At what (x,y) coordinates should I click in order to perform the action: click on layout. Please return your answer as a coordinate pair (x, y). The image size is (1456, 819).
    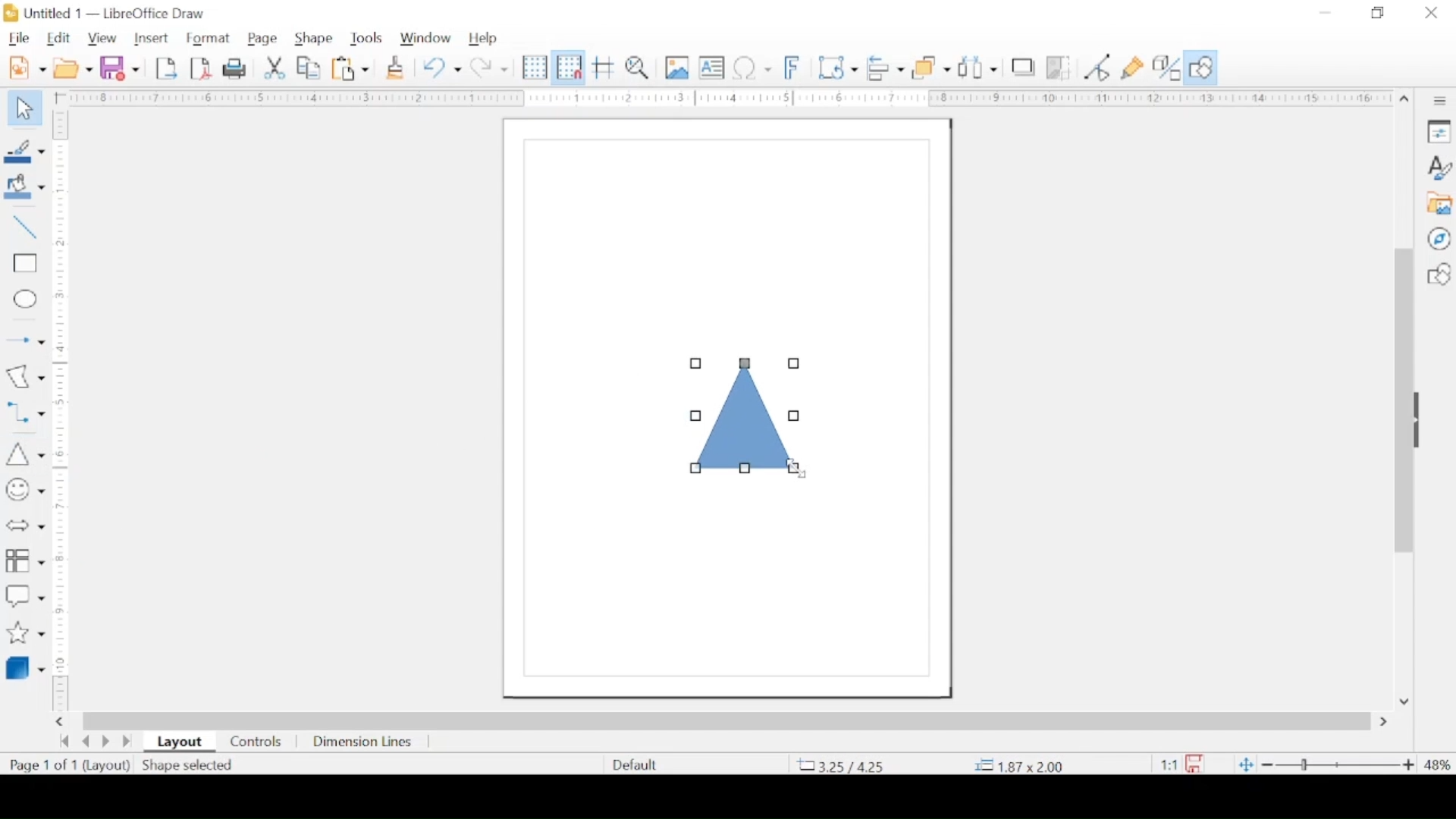
    Looking at the image, I should click on (179, 742).